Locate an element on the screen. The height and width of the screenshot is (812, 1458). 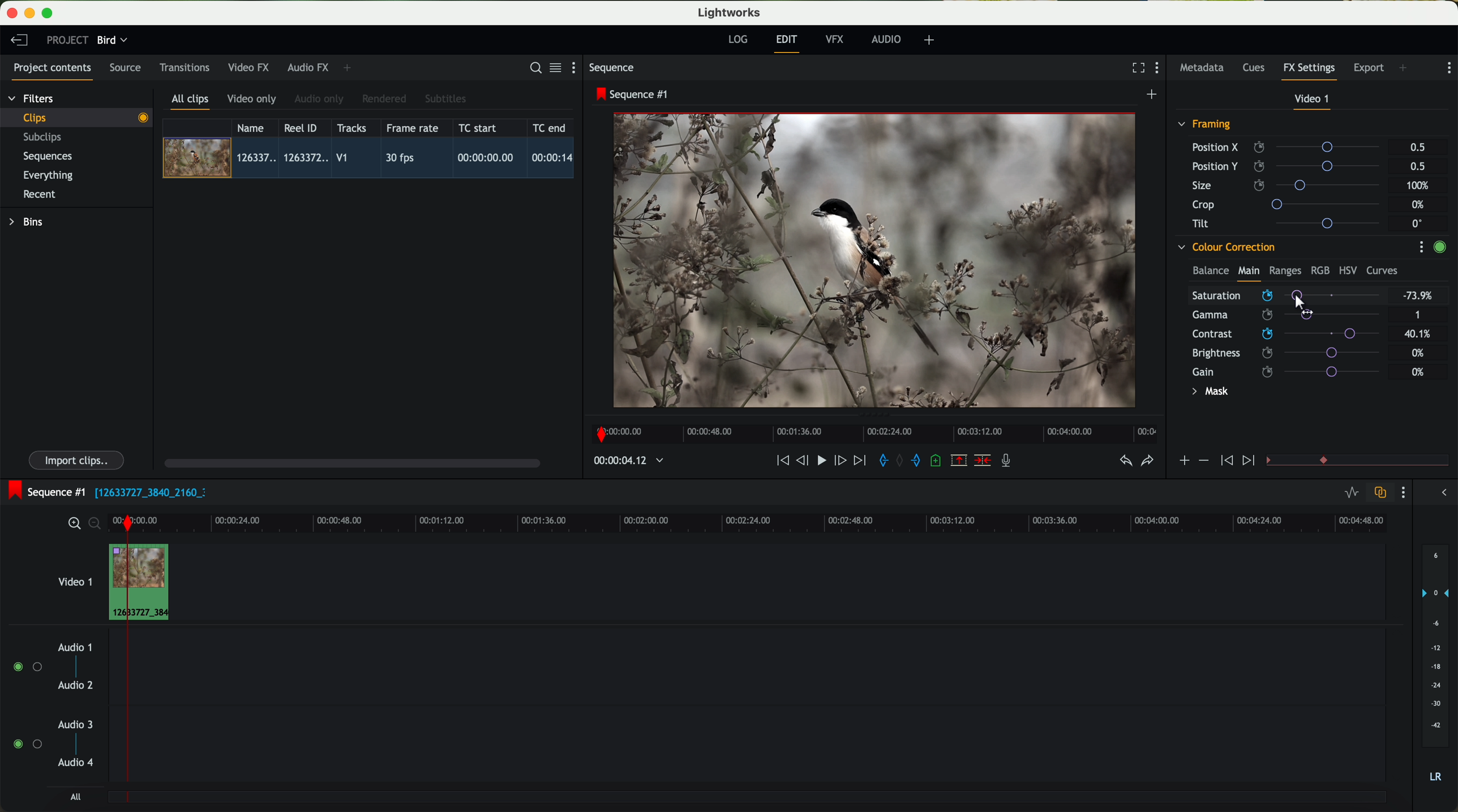
fullscreen is located at coordinates (1136, 67).